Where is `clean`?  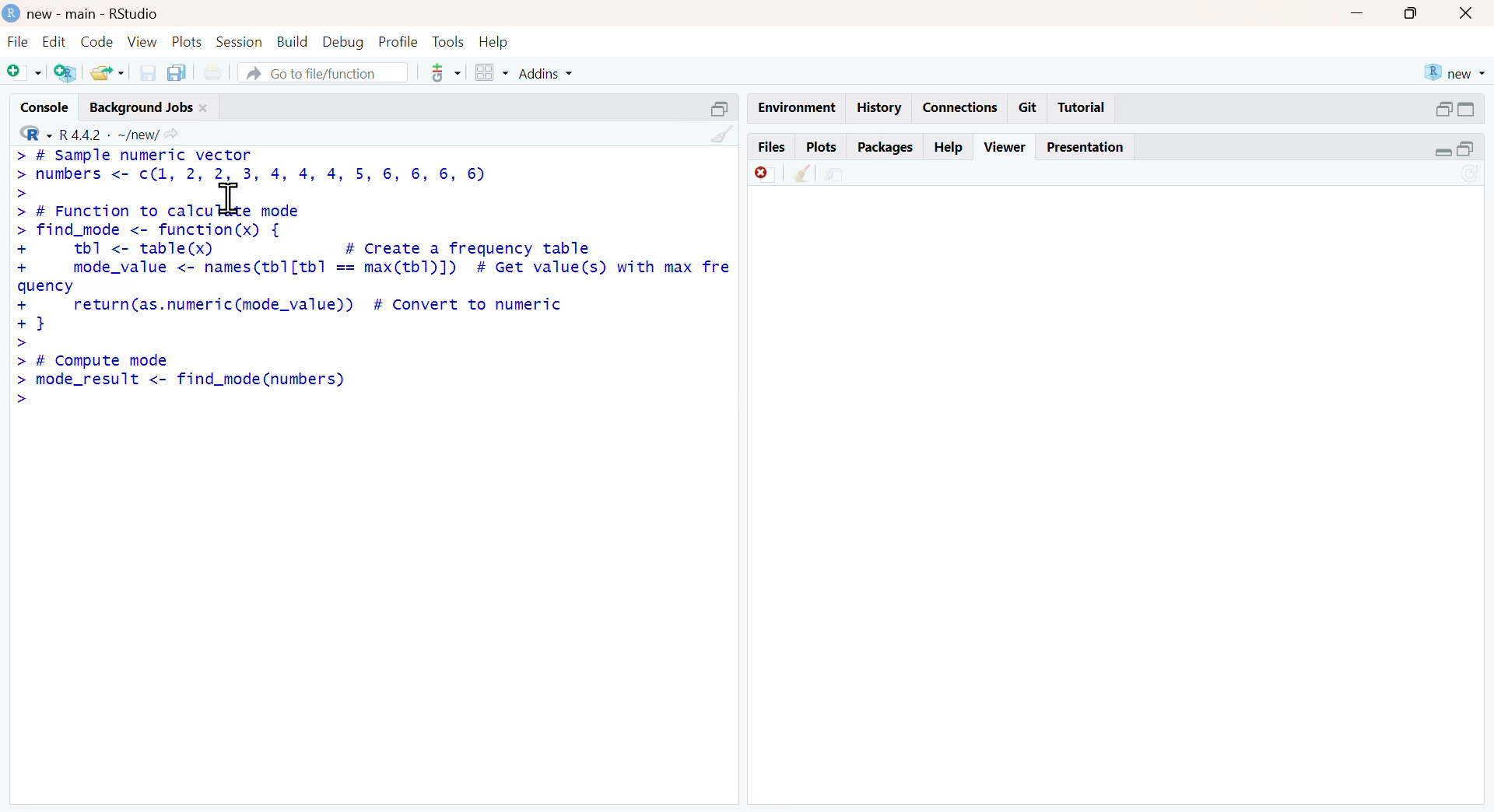
clean is located at coordinates (805, 173).